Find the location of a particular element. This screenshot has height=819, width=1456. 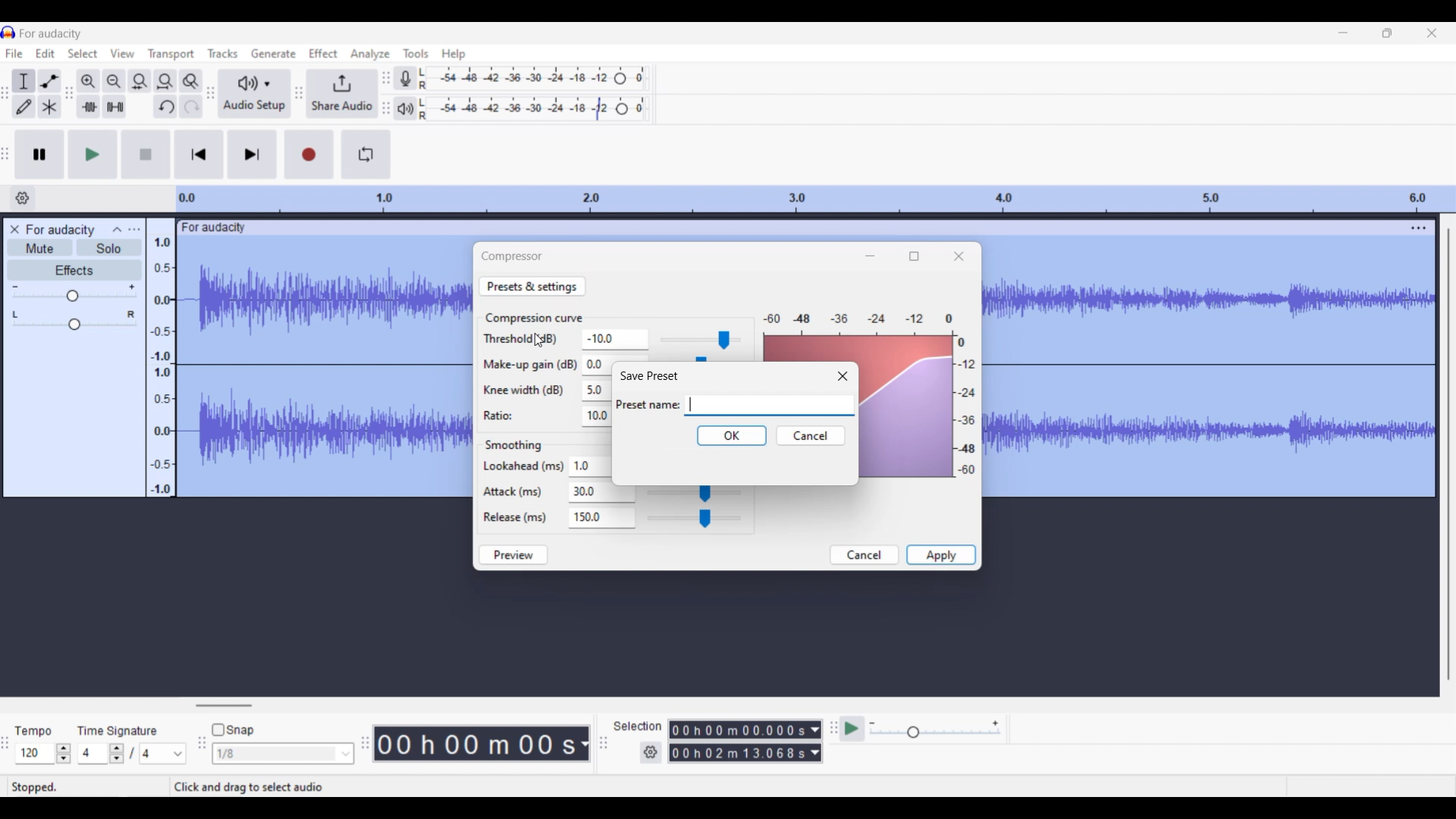

Select is located at coordinates (83, 53).